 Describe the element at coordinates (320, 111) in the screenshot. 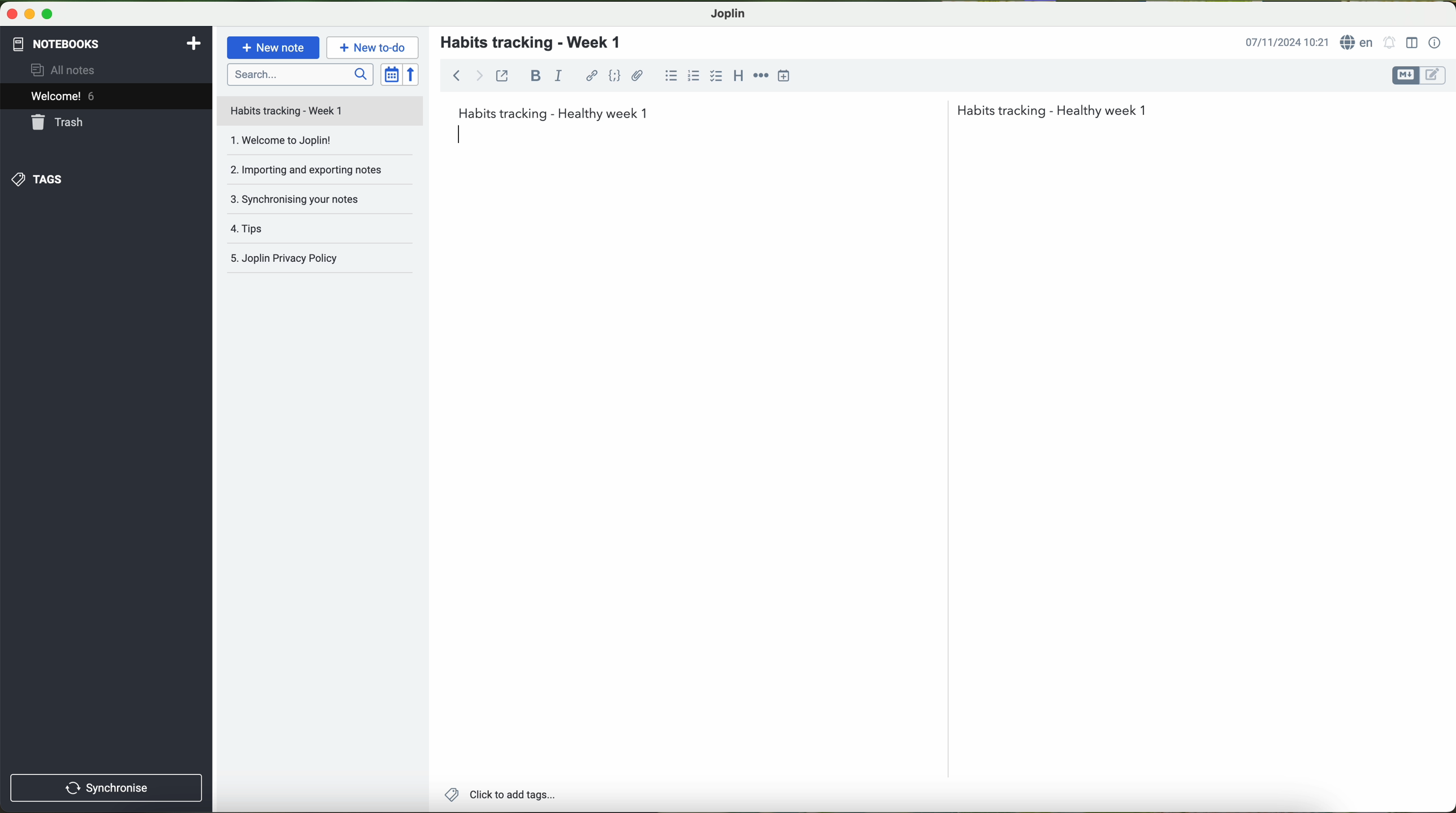

I see `file title` at that location.